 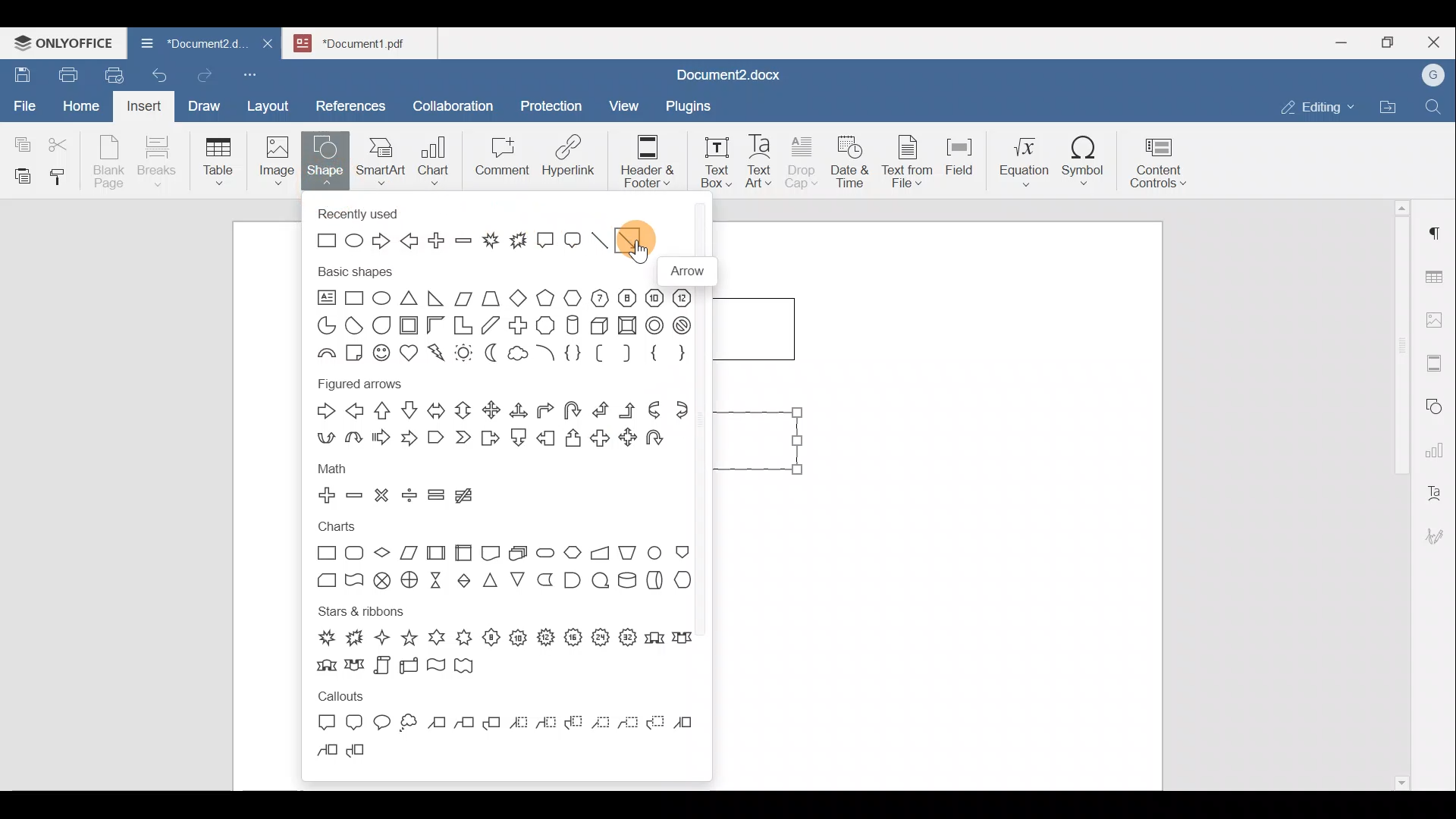 I want to click on Text Art, so click(x=760, y=162).